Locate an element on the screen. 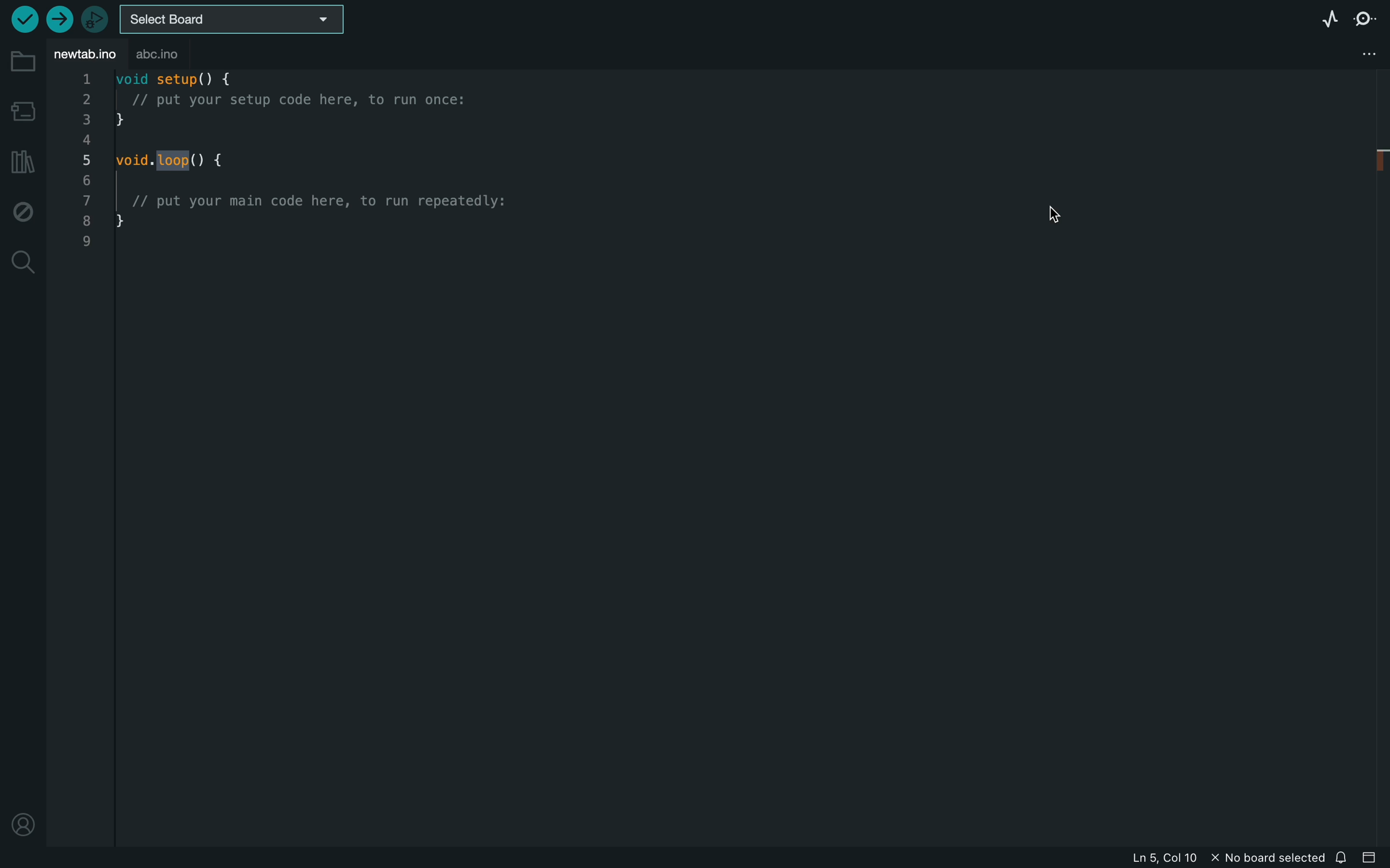  folder is located at coordinates (22, 63).